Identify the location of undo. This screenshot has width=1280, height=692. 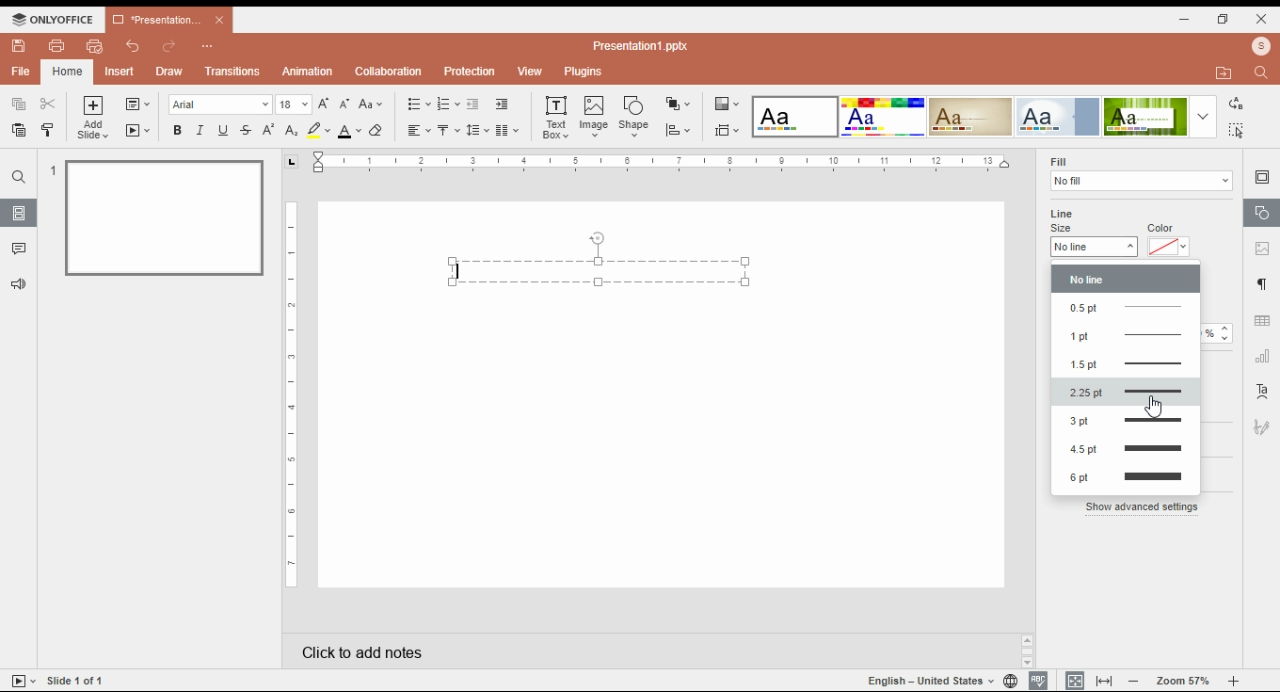
(135, 47).